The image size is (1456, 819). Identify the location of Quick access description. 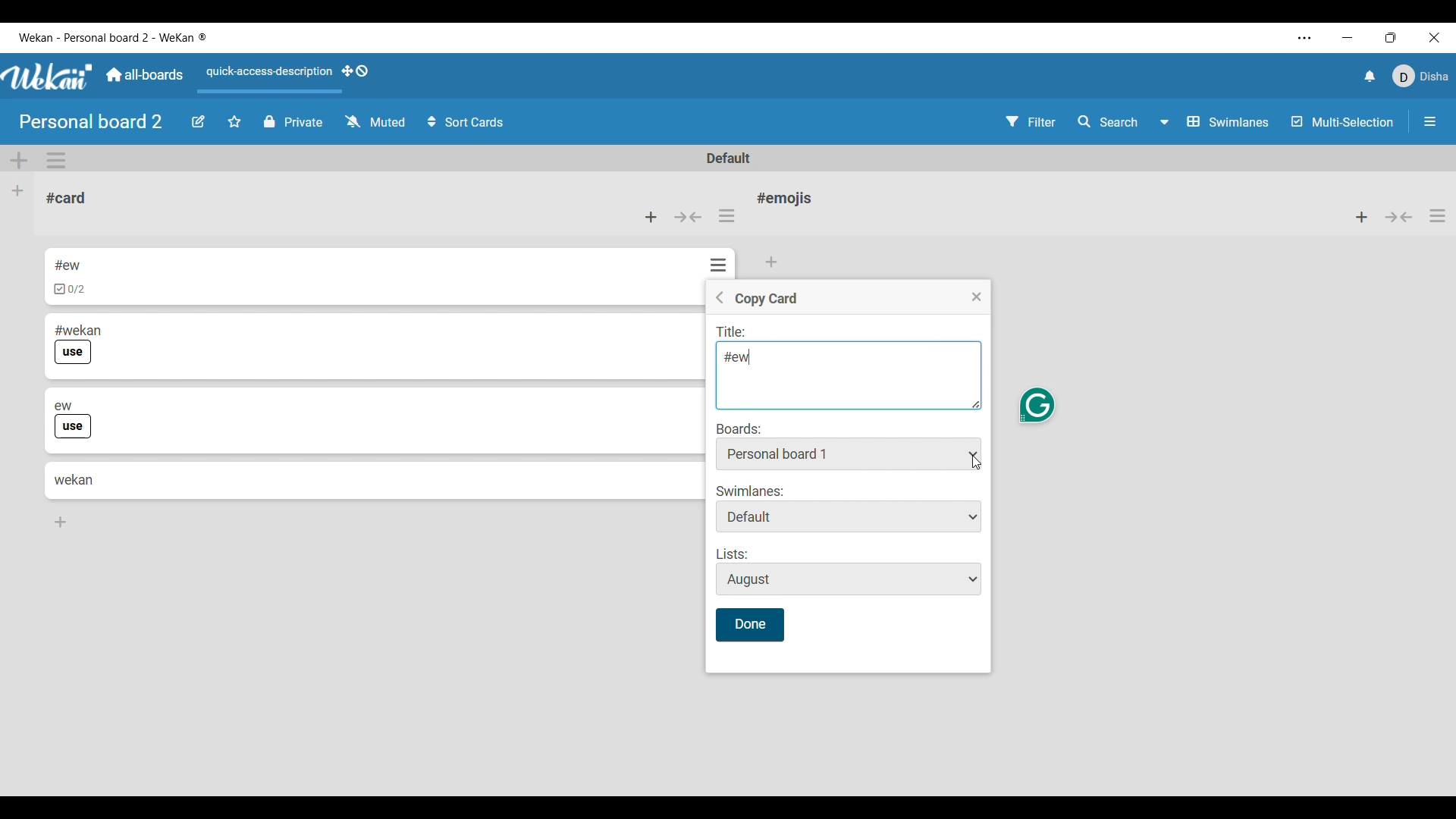
(266, 78).